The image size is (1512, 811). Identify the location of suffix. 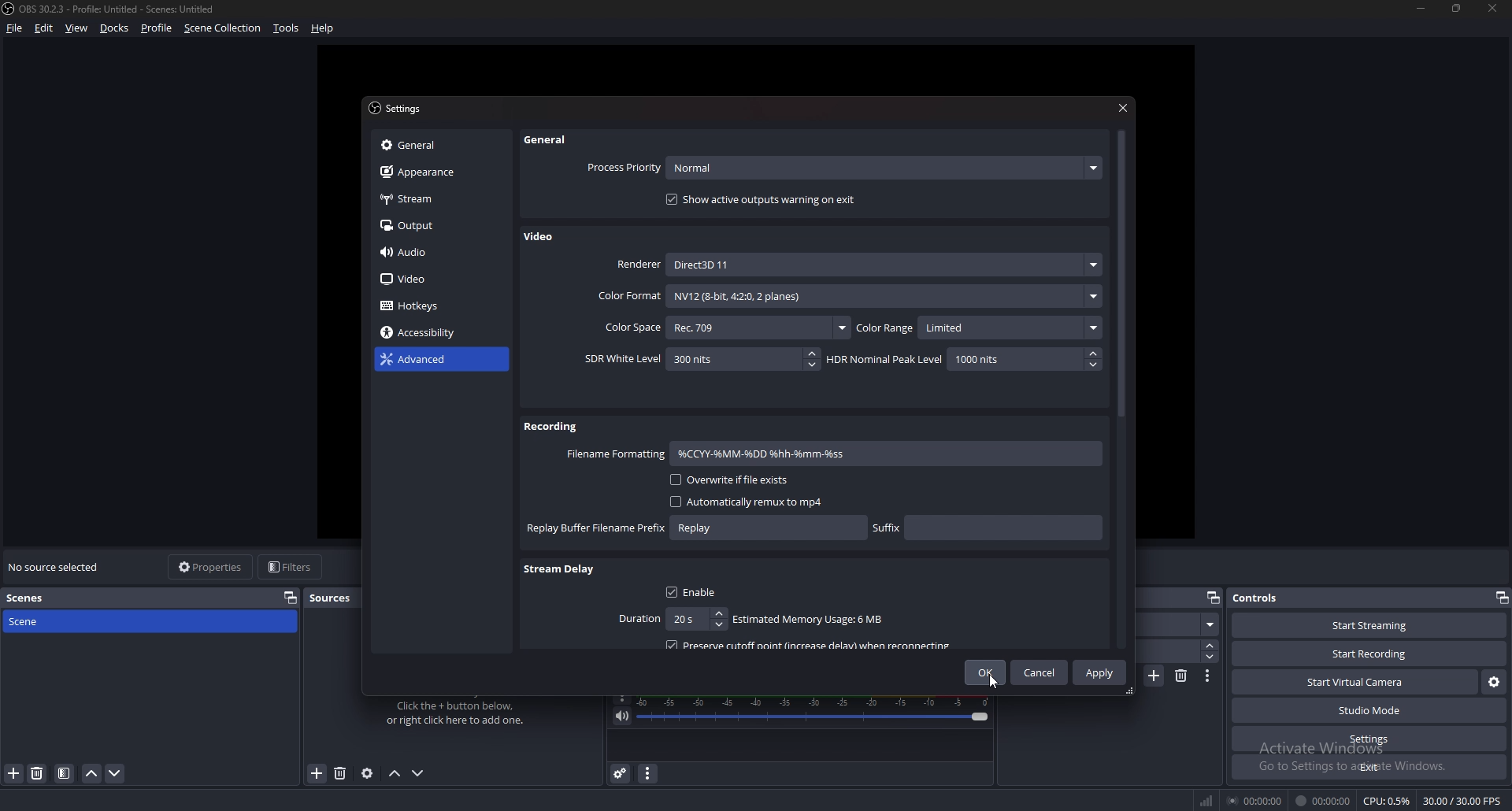
(988, 526).